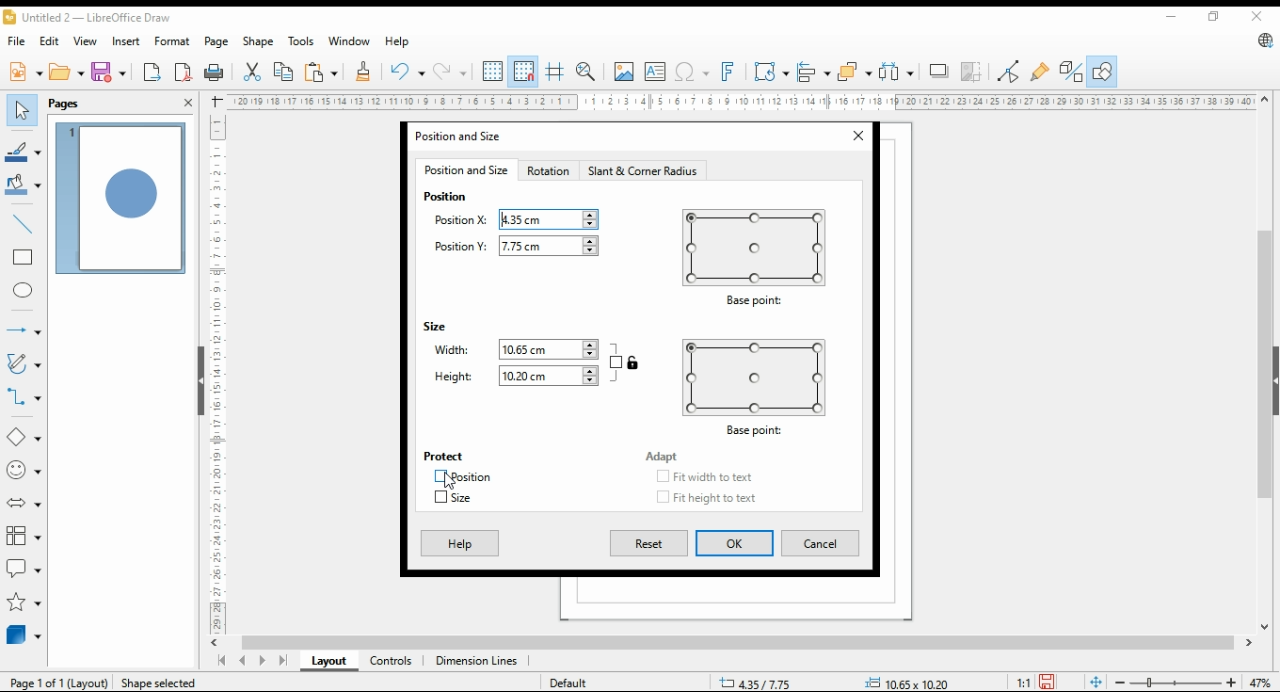 This screenshot has width=1280, height=692. I want to click on connectors, so click(25, 398).